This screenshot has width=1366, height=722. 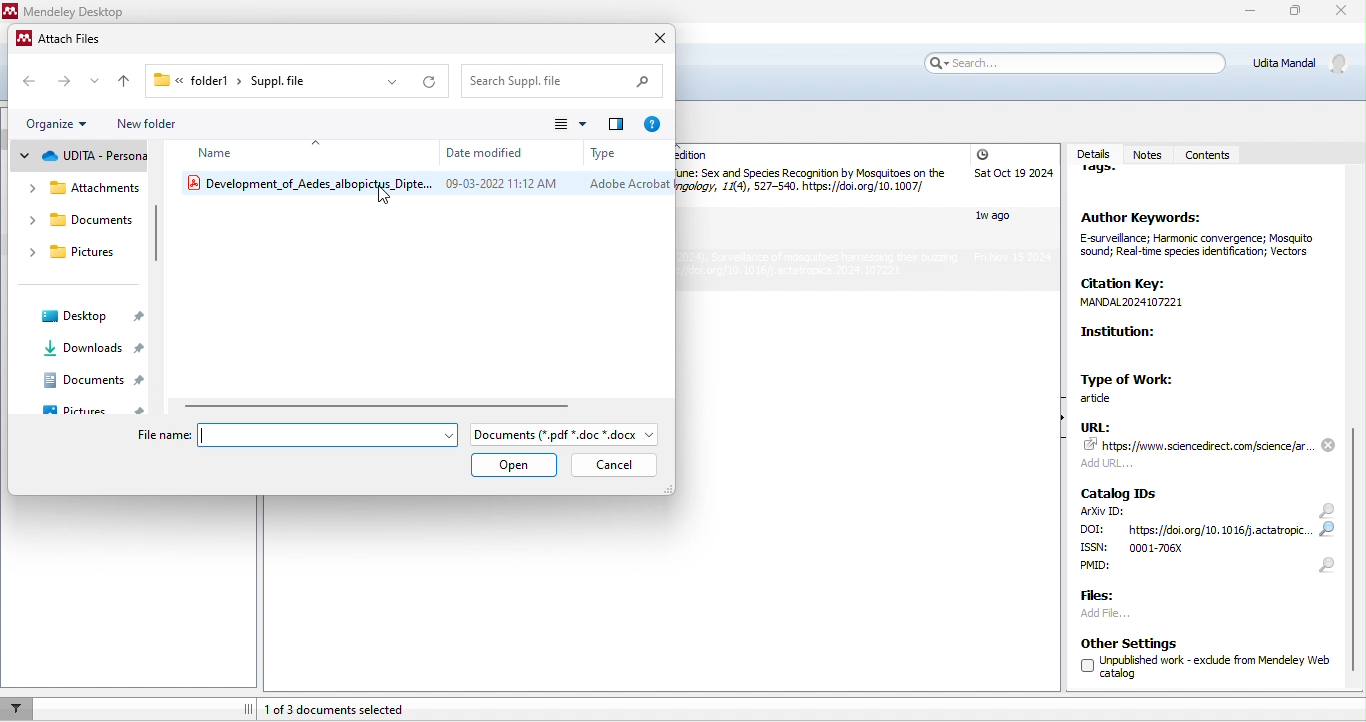 What do you see at coordinates (1072, 62) in the screenshot?
I see `search bar` at bounding box center [1072, 62].